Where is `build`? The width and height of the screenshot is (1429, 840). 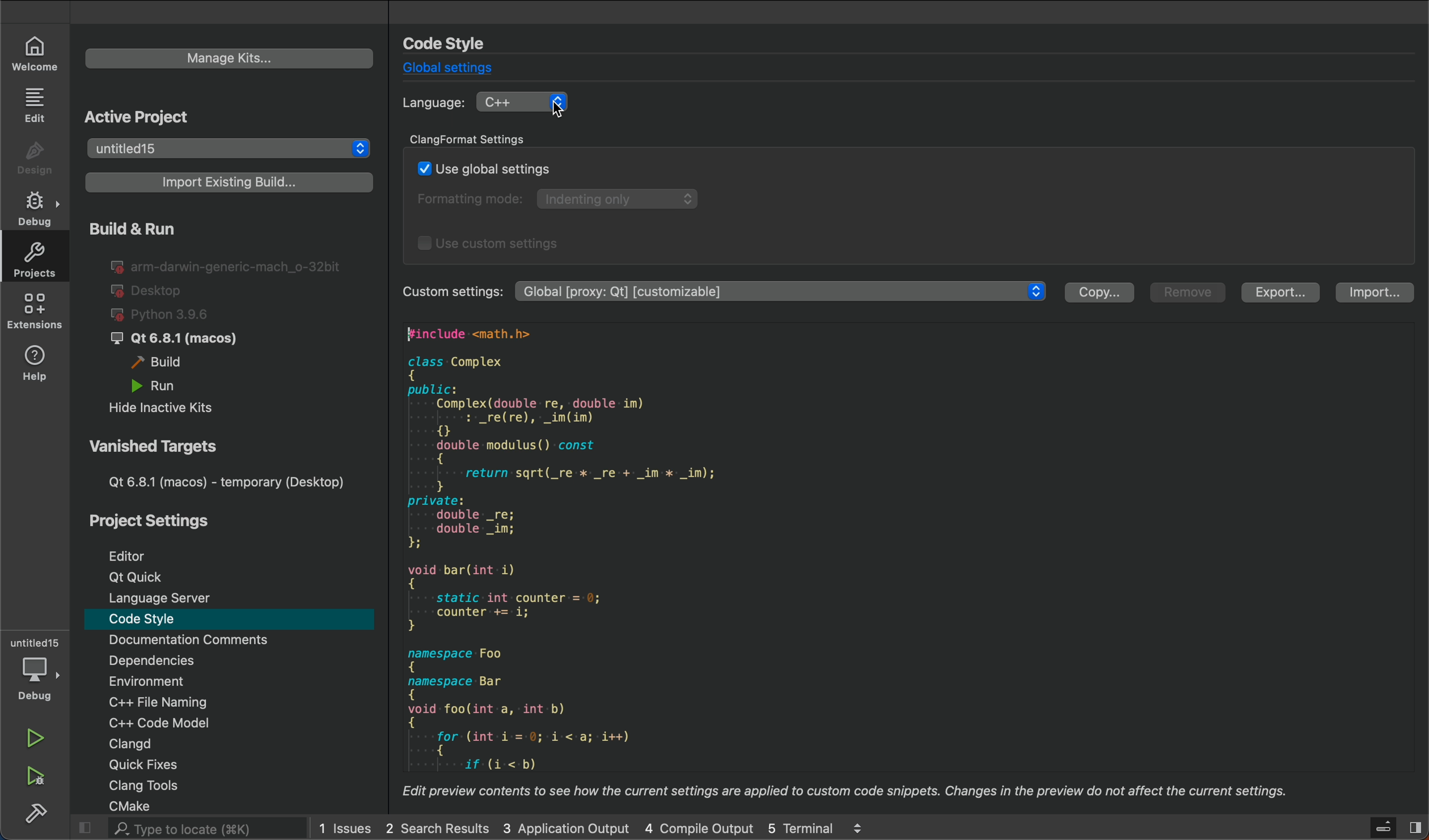 build is located at coordinates (37, 816).